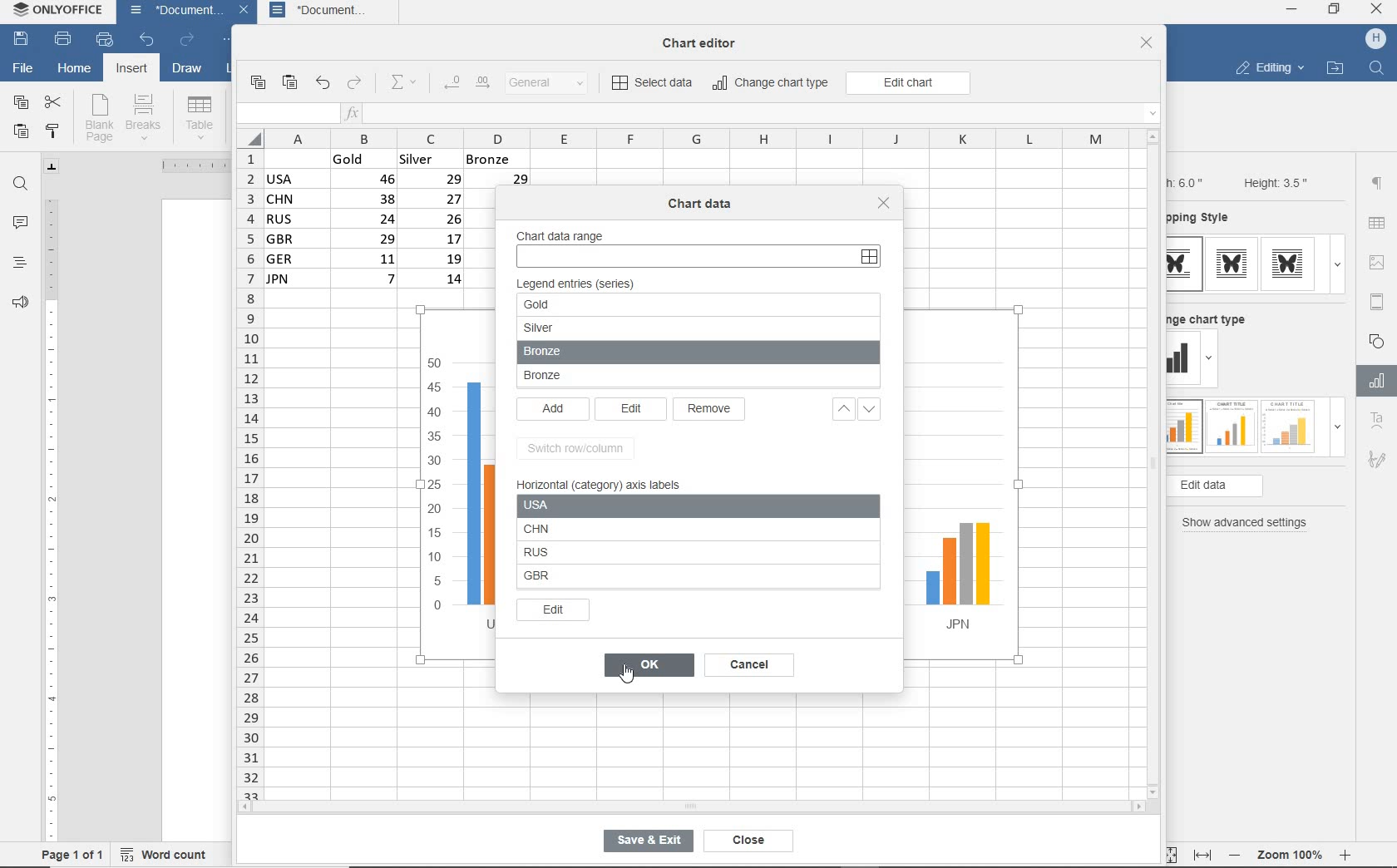  Describe the element at coordinates (21, 224) in the screenshot. I see `comments` at that location.